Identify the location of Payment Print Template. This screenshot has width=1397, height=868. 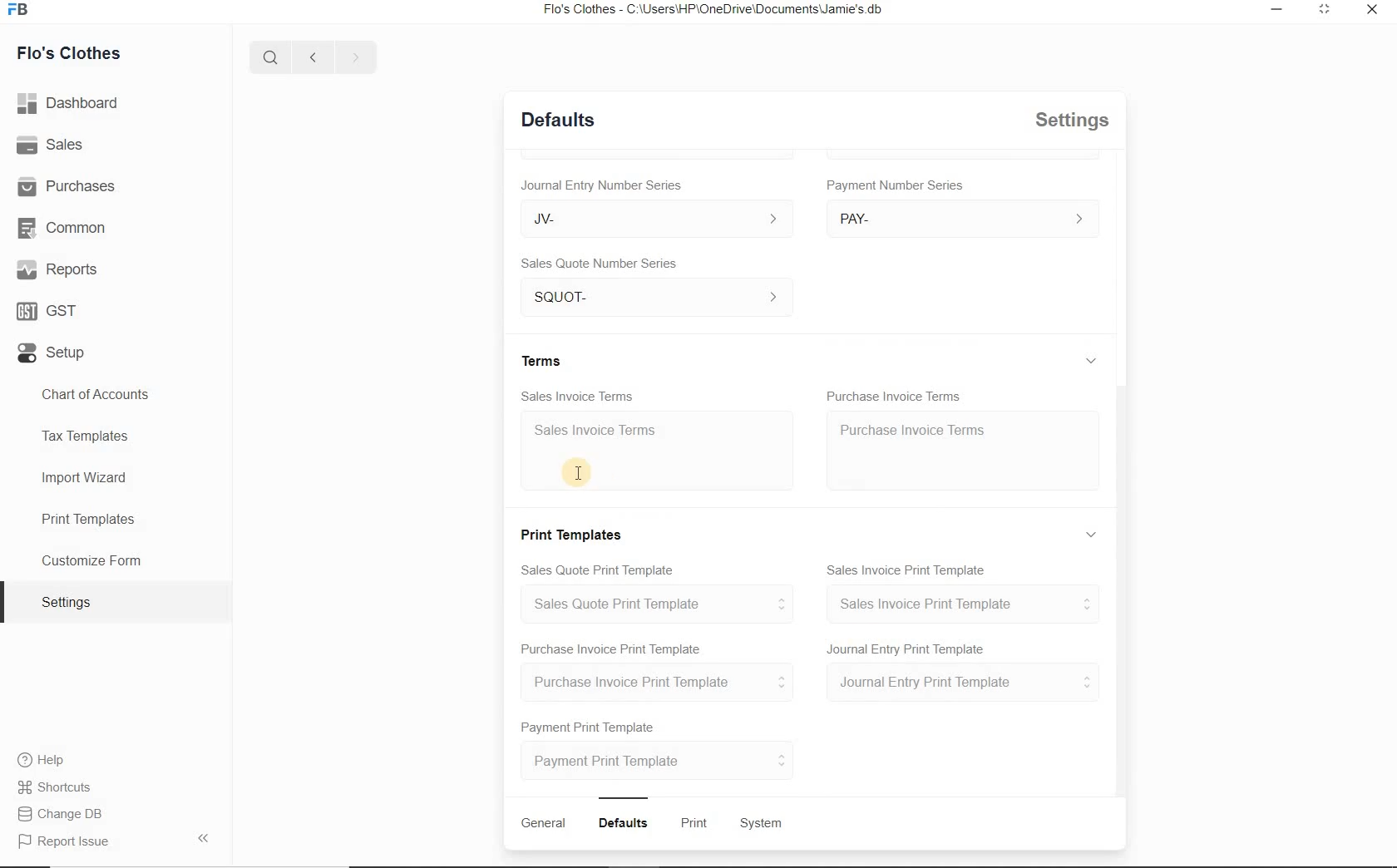
(659, 759).